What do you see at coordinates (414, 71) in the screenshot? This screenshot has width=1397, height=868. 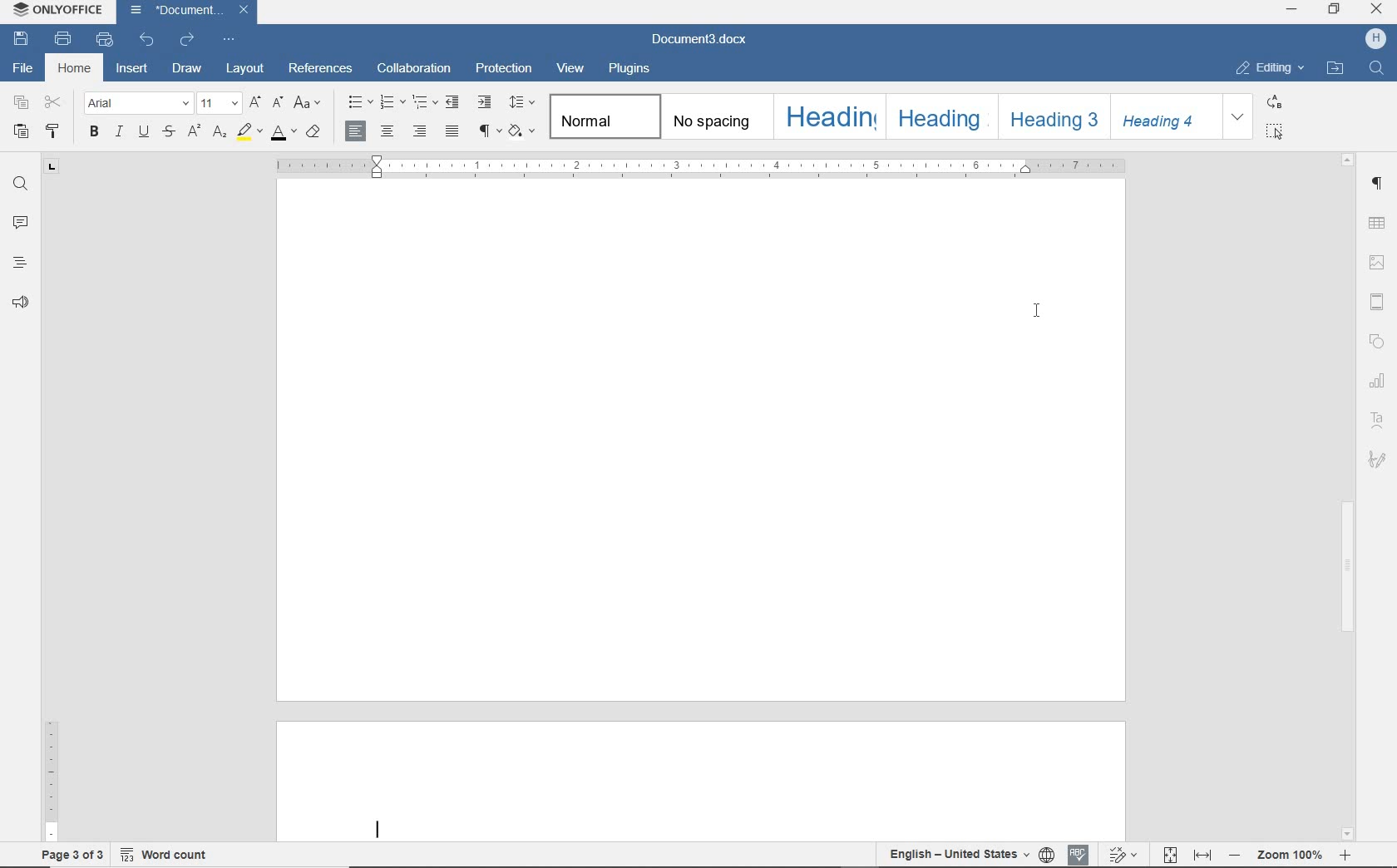 I see `COLLABORATION` at bounding box center [414, 71].